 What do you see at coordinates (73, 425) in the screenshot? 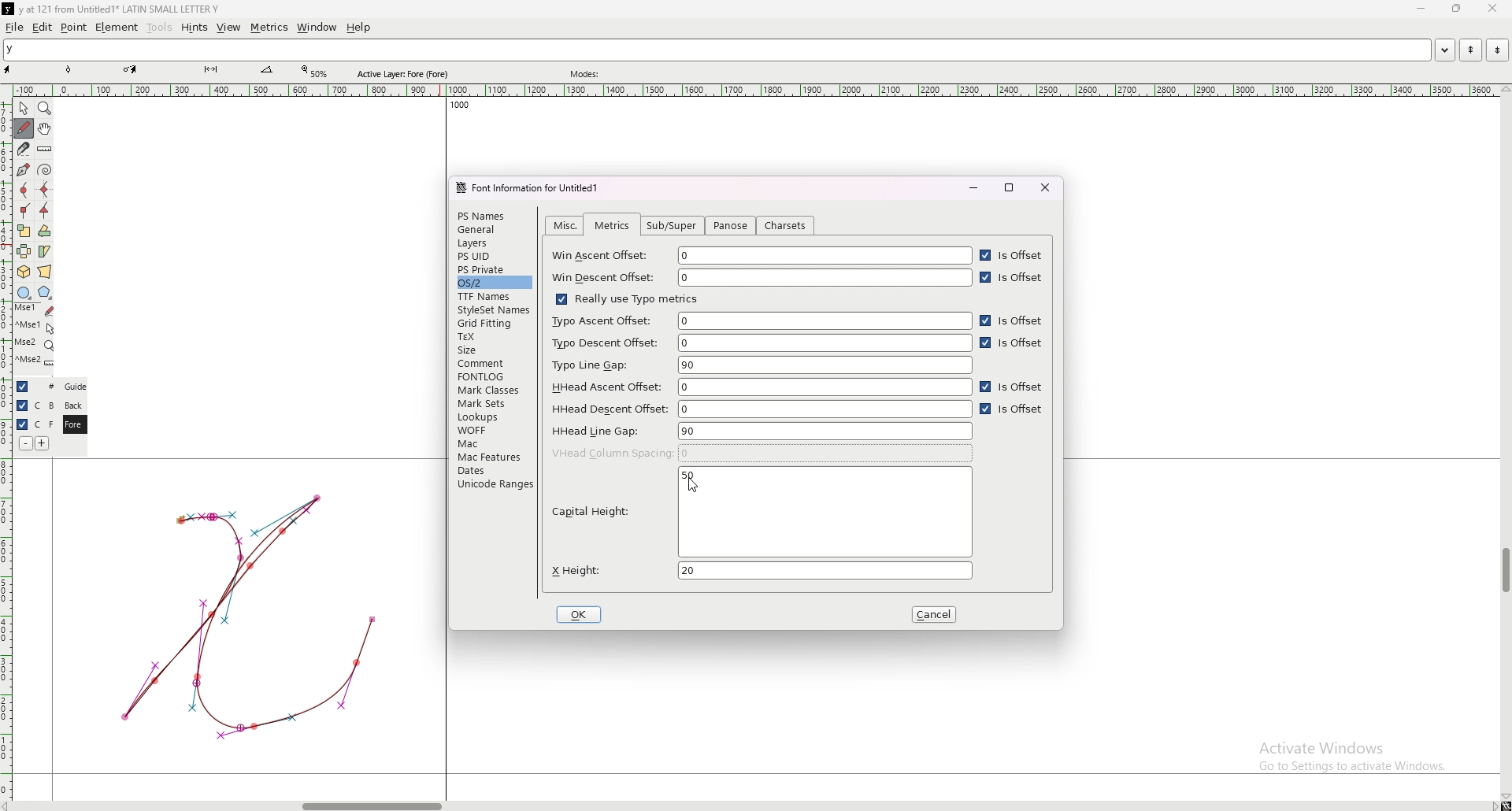
I see `fore` at bounding box center [73, 425].